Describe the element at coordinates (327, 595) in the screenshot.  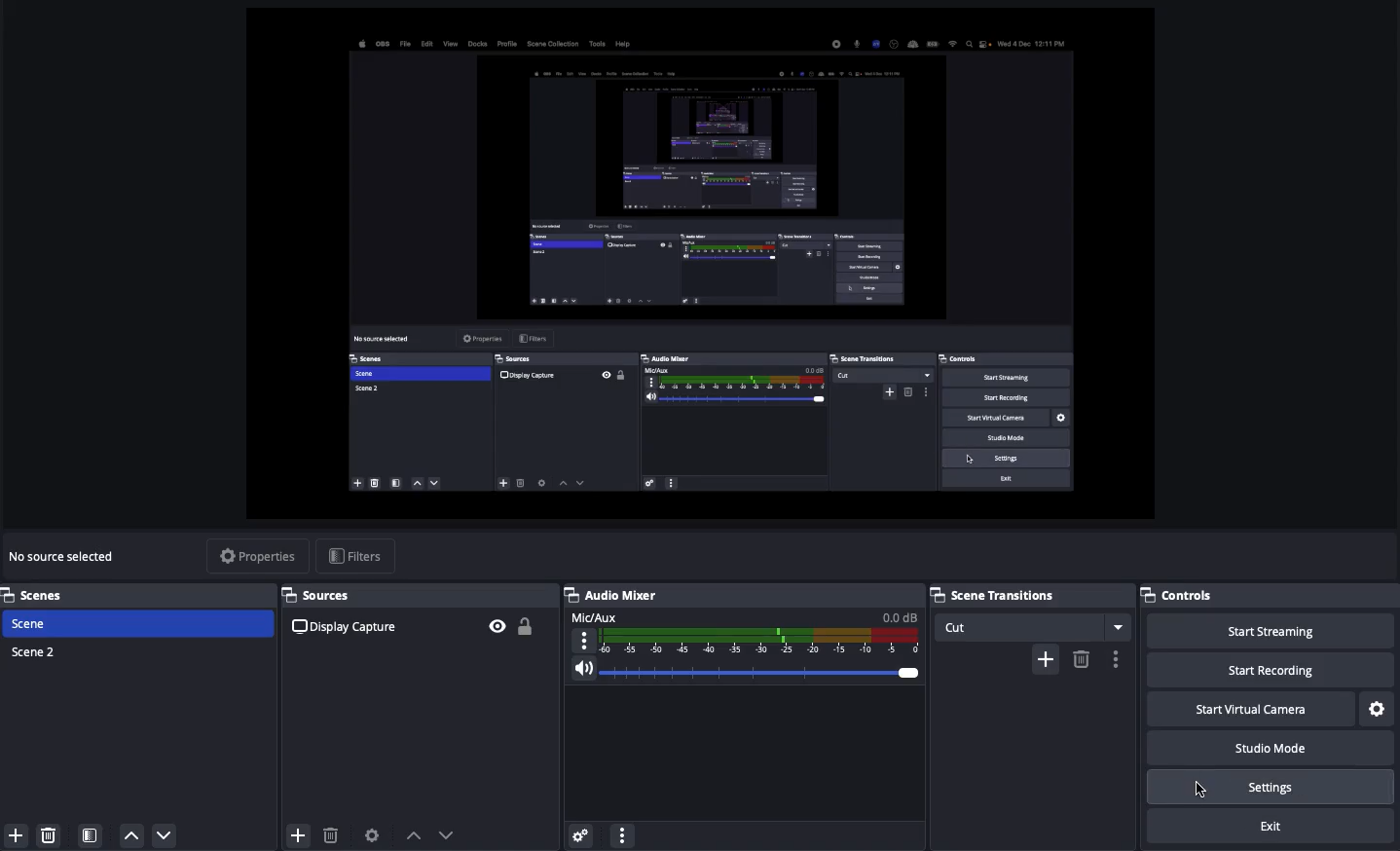
I see `Sources` at that location.